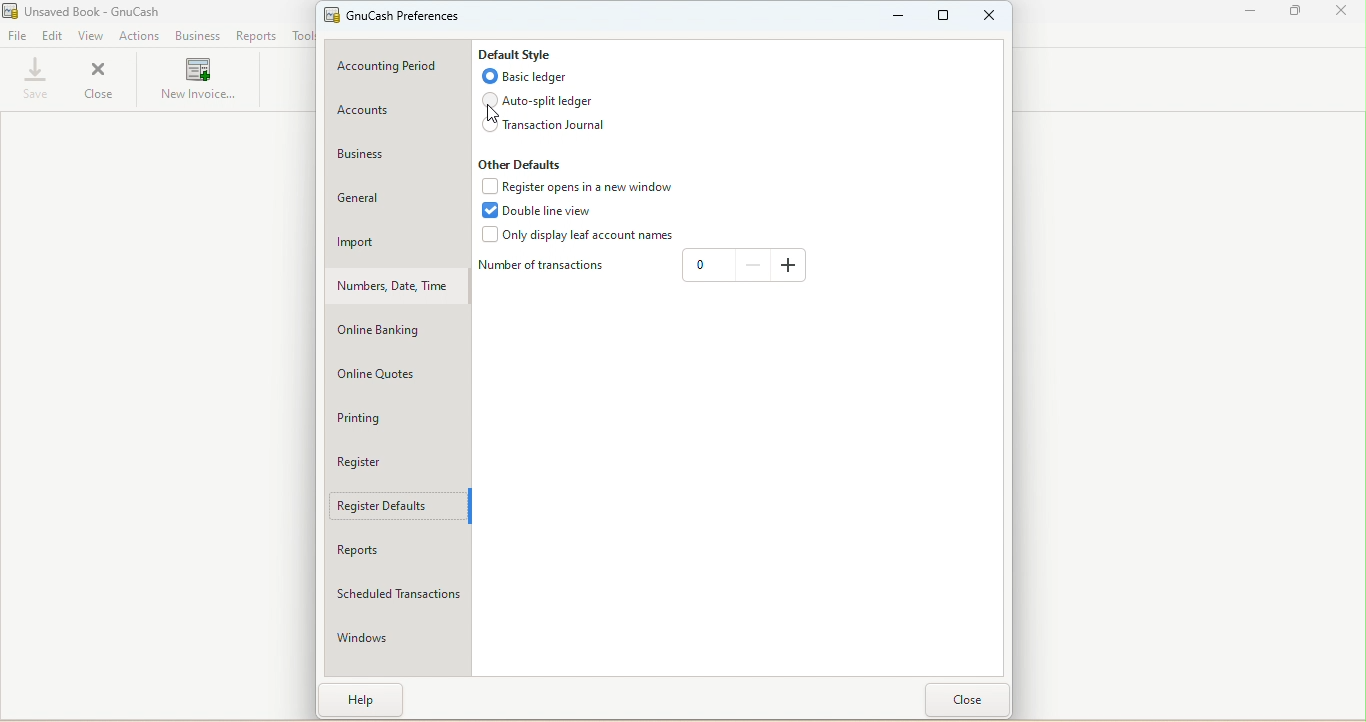  What do you see at coordinates (401, 65) in the screenshot?
I see `Accounting period` at bounding box center [401, 65].